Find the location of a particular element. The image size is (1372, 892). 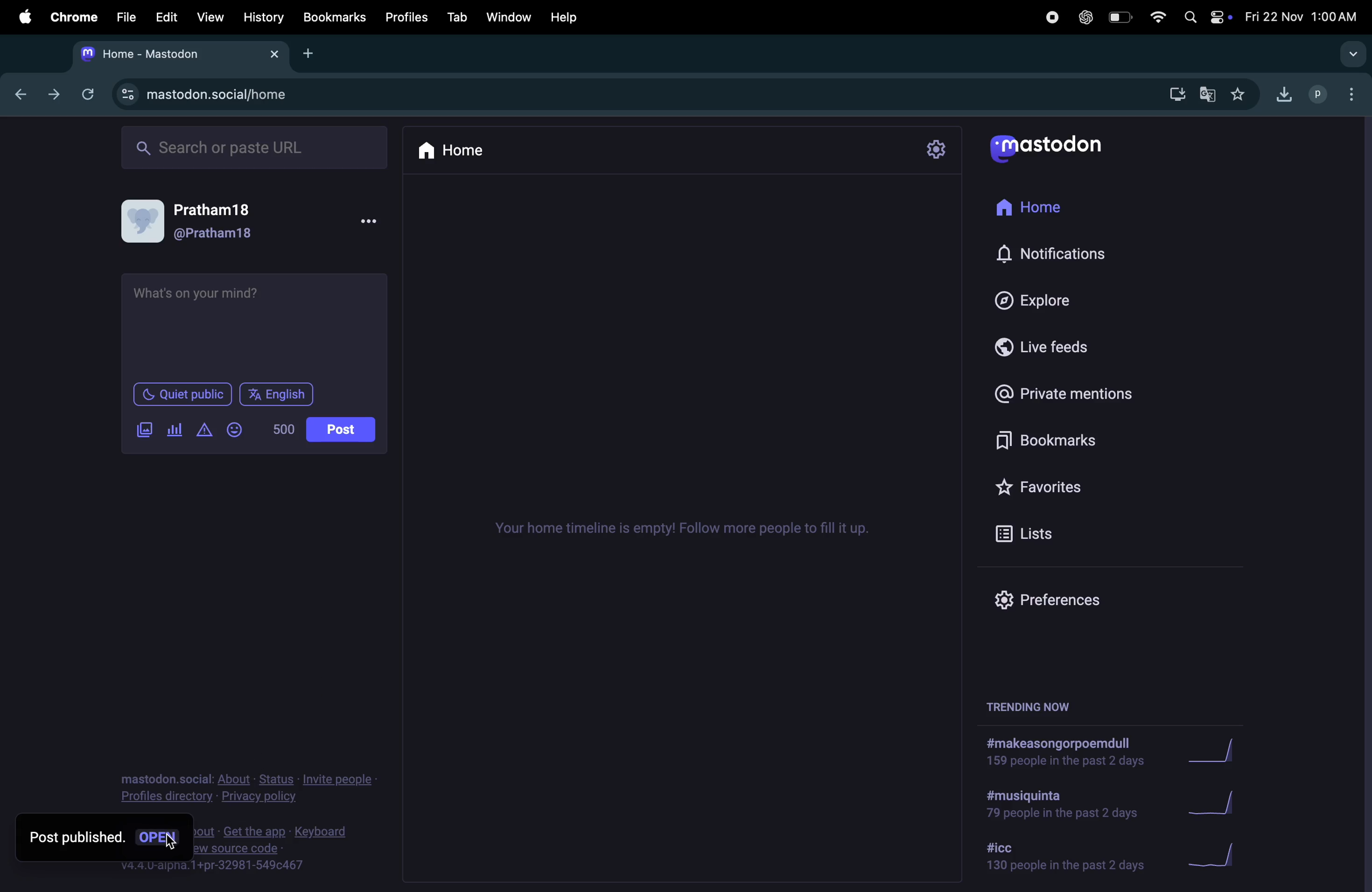

searchbox is located at coordinates (263, 149).